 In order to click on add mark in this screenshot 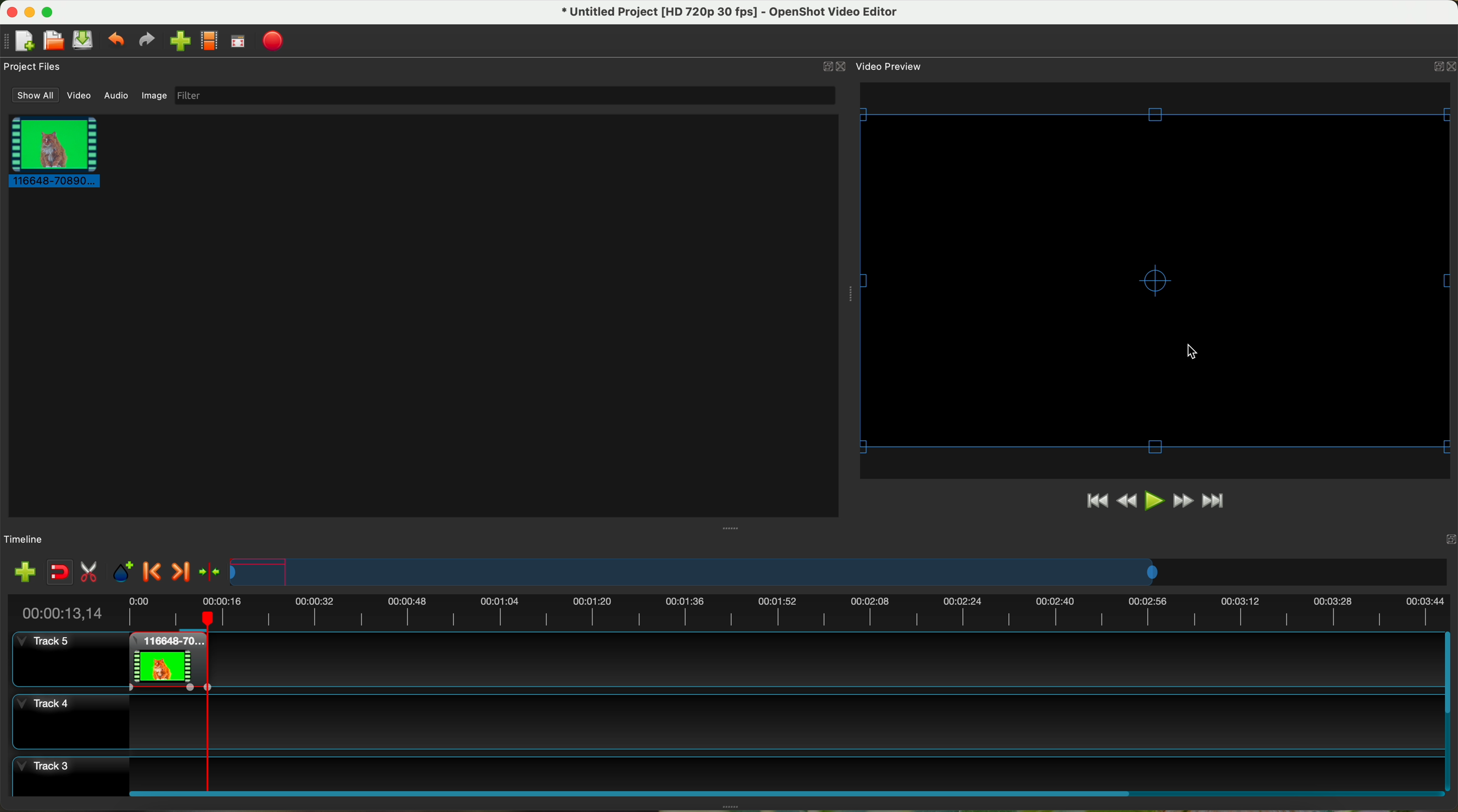, I will do `click(123, 572)`.